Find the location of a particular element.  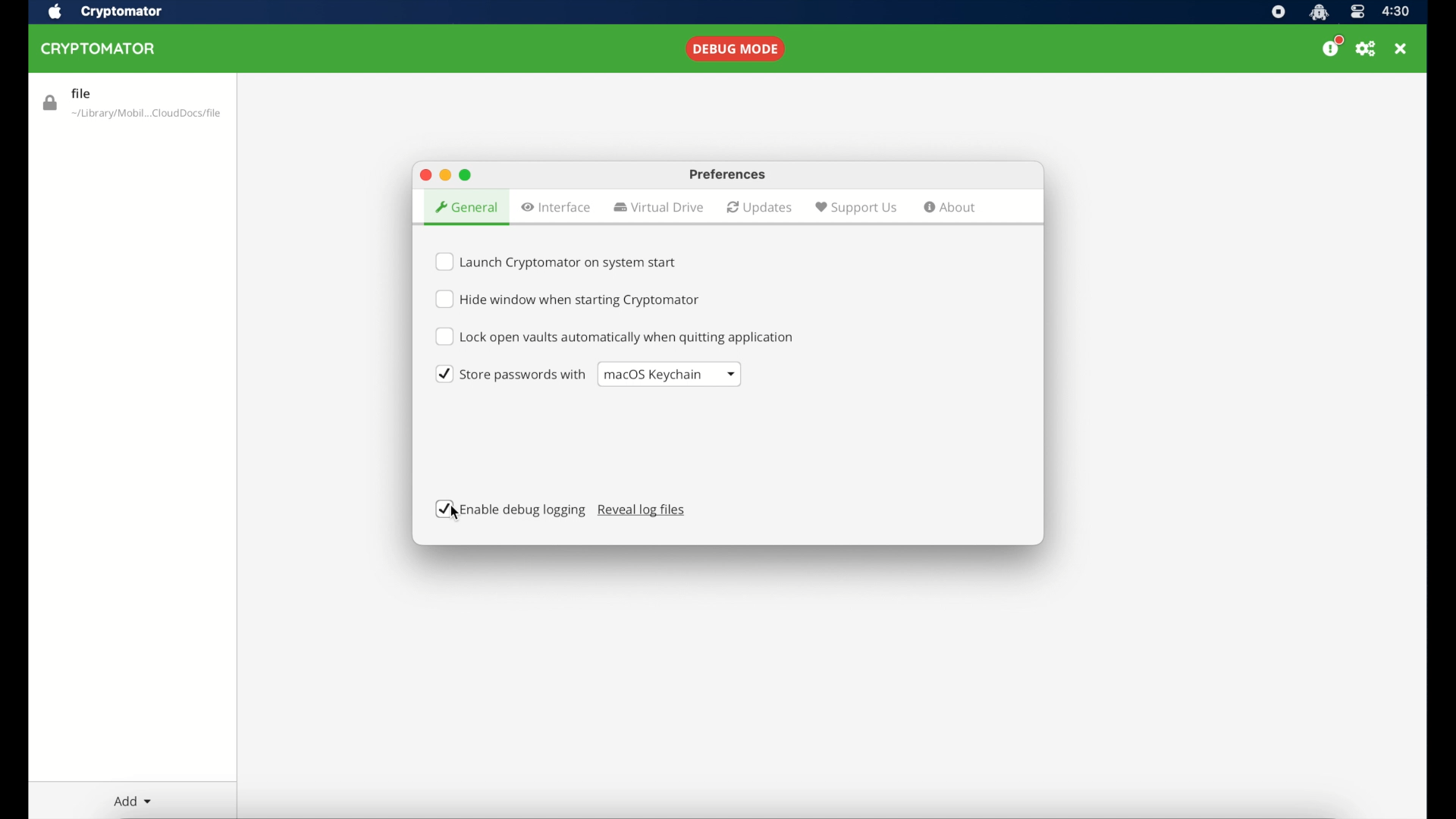

cursor is located at coordinates (458, 513).